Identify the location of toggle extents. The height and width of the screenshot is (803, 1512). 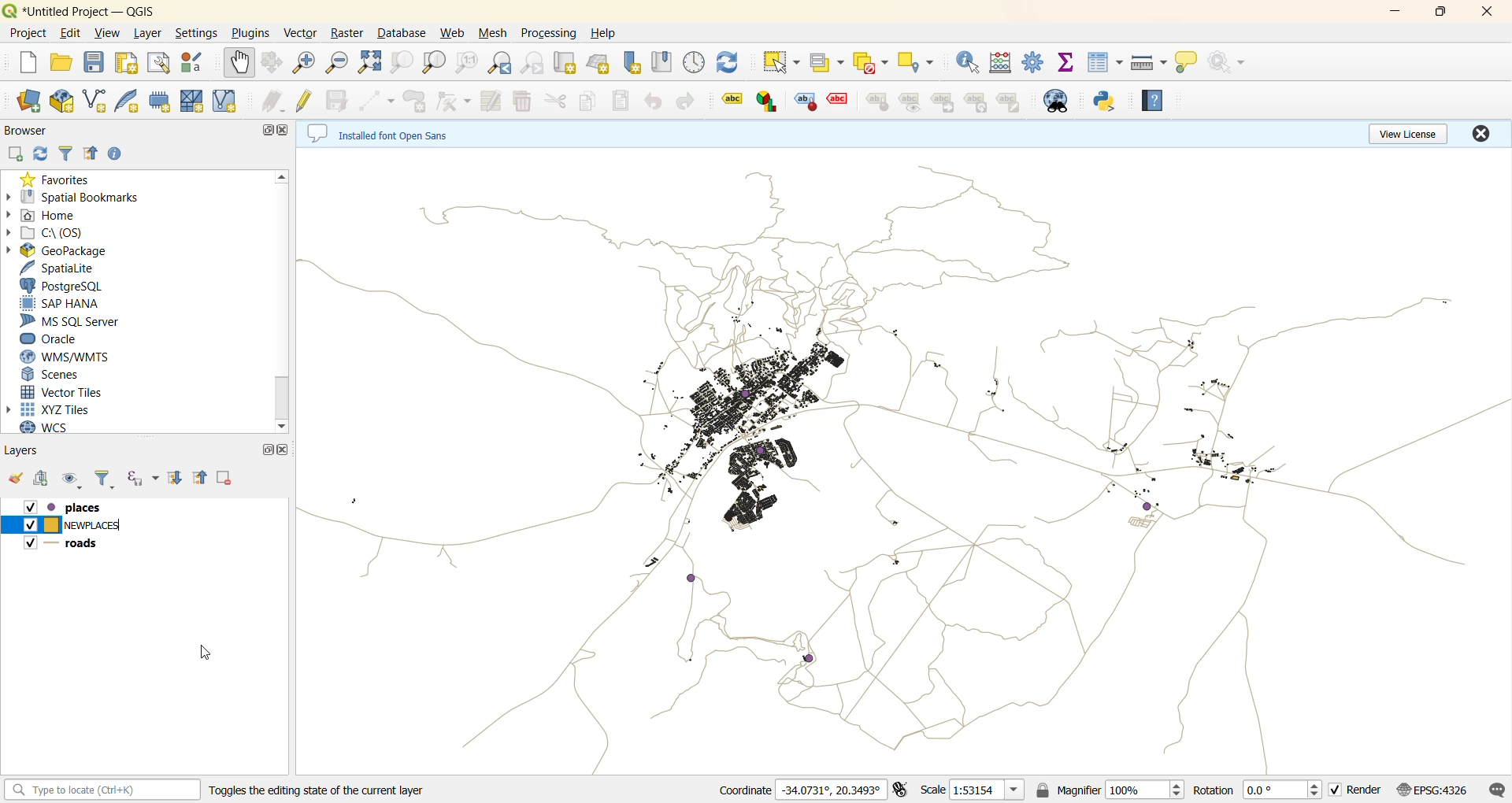
(898, 790).